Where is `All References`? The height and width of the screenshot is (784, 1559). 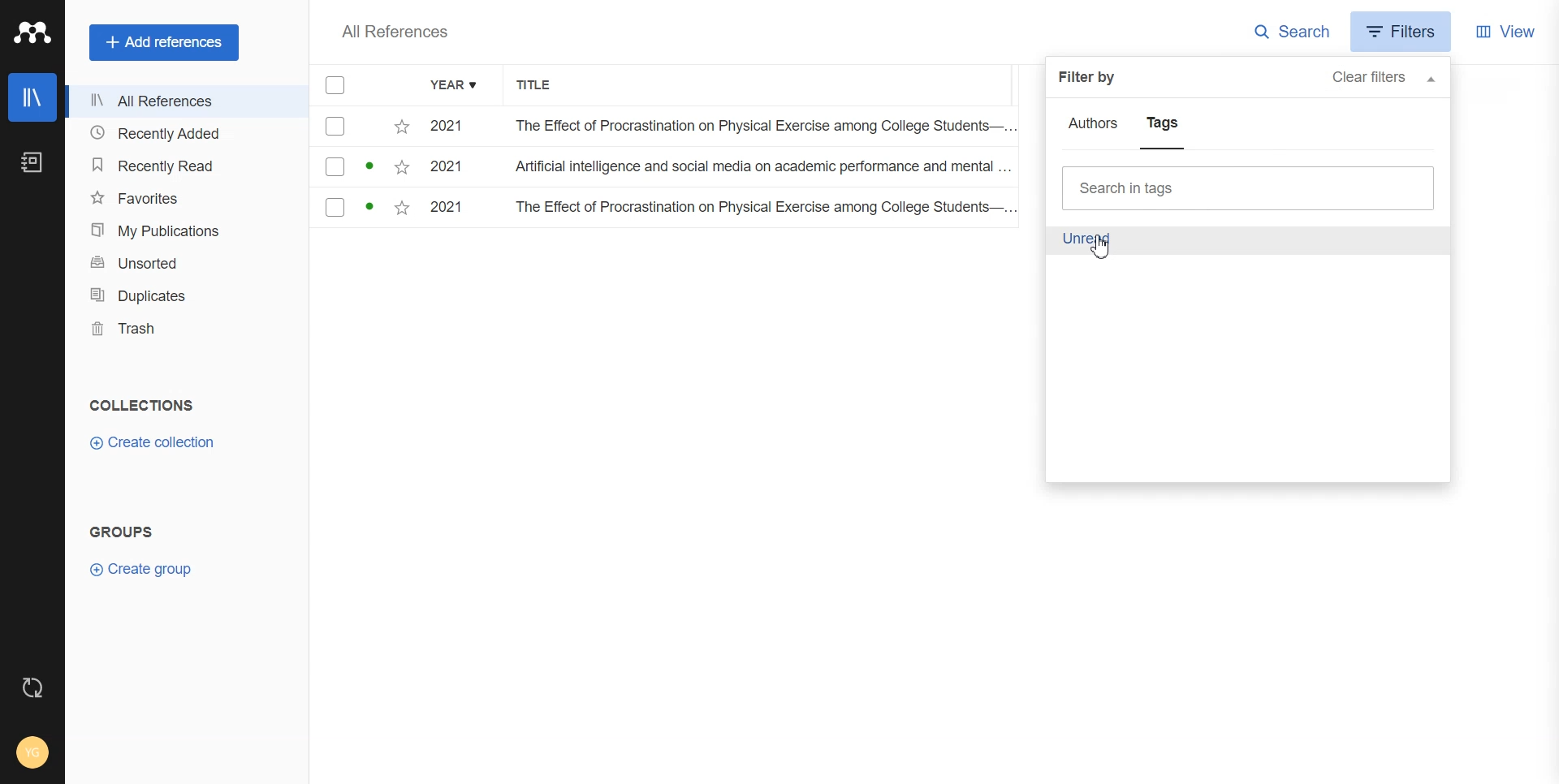 All References is located at coordinates (186, 103).